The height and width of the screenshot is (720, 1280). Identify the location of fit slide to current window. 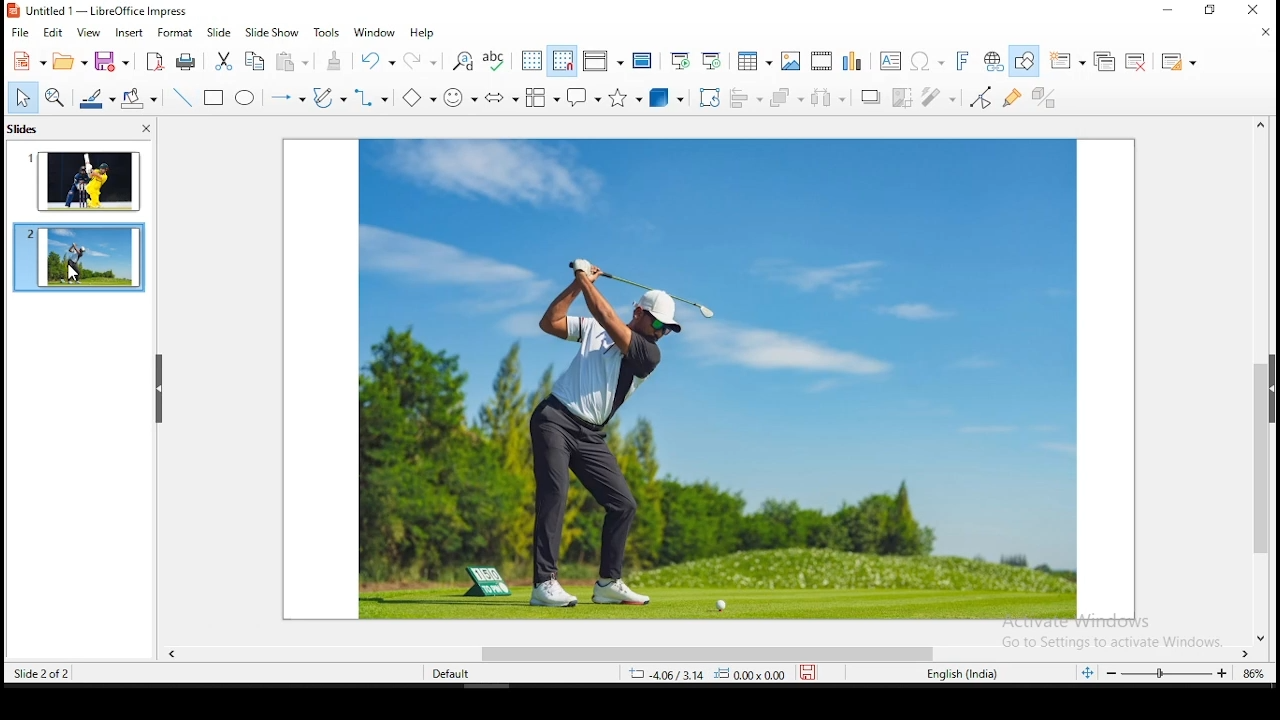
(1089, 670).